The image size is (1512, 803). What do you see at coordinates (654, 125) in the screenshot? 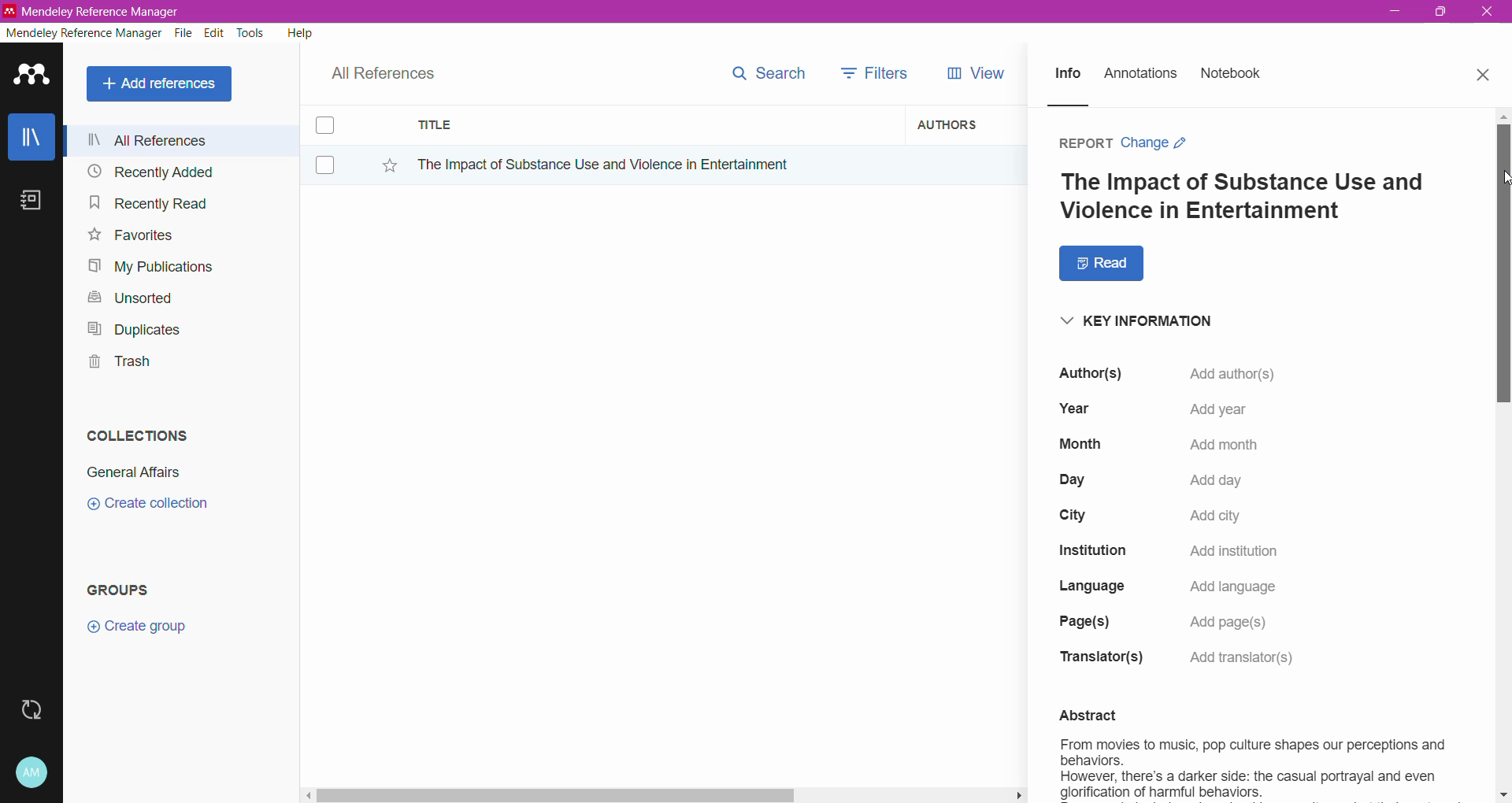
I see `Title` at bounding box center [654, 125].